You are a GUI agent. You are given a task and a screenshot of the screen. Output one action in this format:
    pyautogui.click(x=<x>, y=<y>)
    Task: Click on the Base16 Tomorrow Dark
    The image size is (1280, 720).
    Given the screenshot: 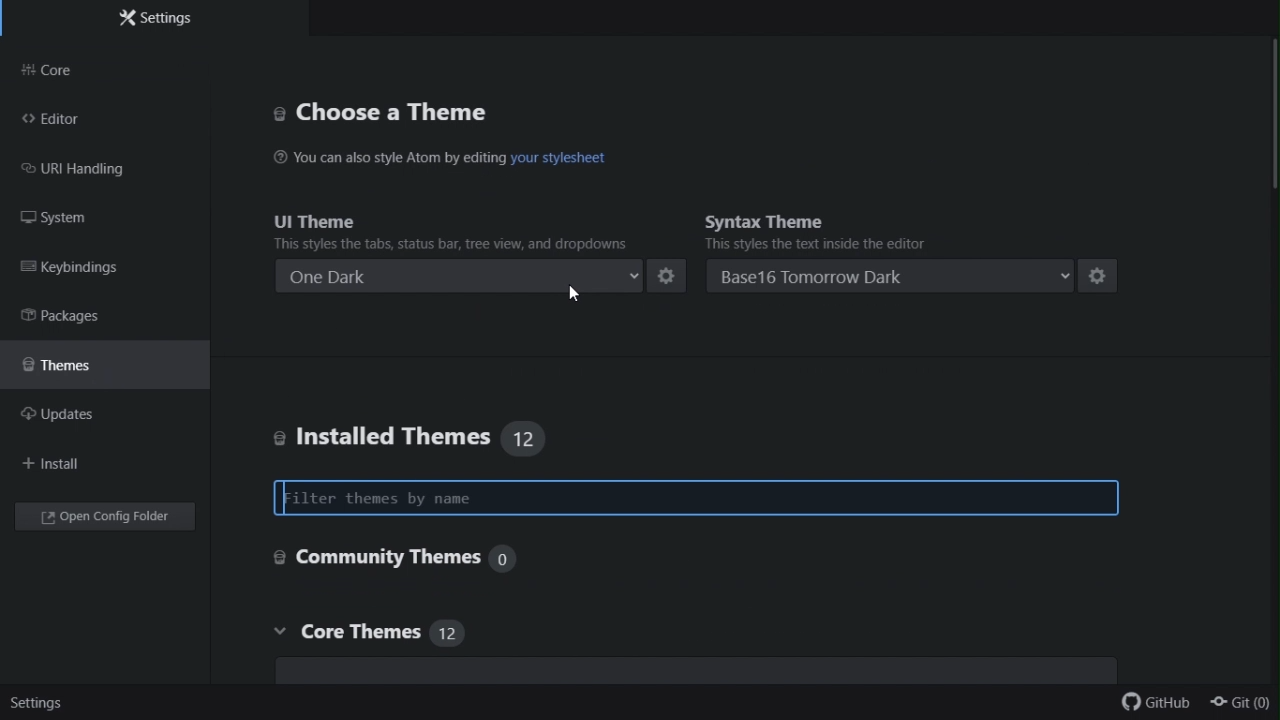 What is the action you would take?
    pyautogui.click(x=895, y=272)
    